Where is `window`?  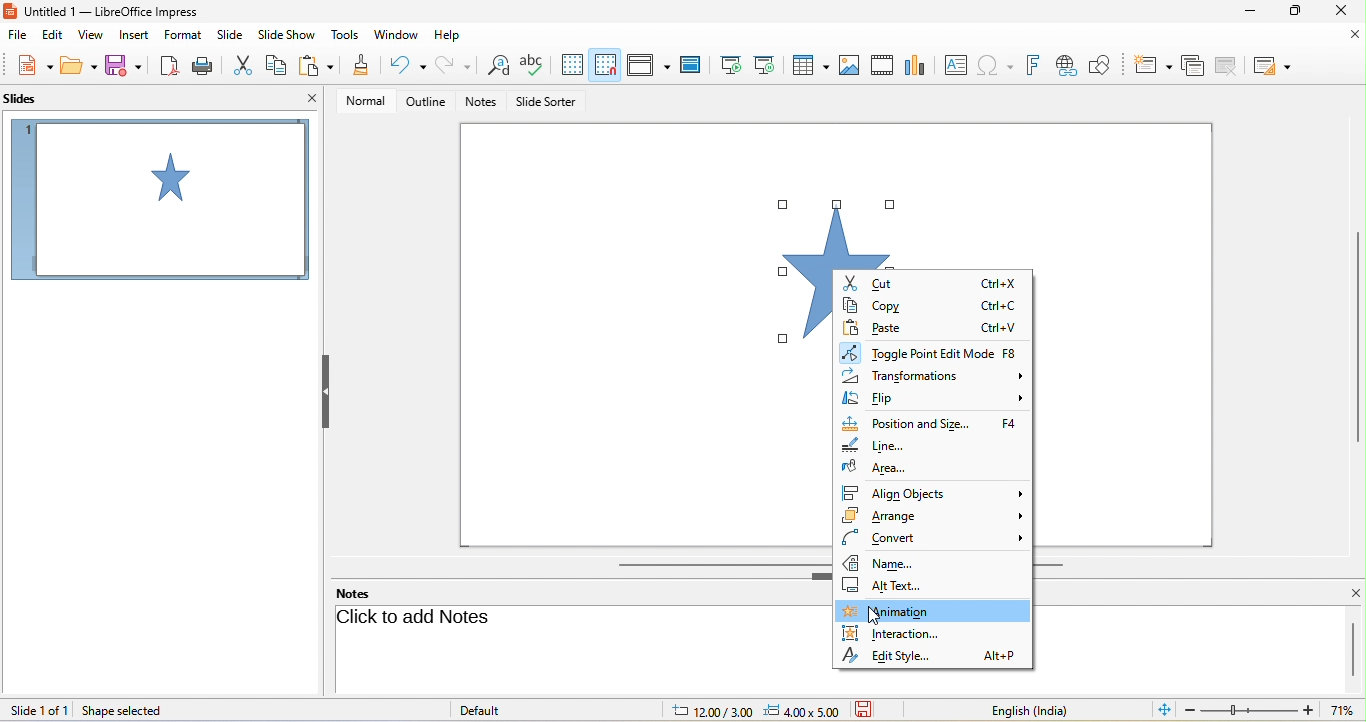 window is located at coordinates (399, 37).